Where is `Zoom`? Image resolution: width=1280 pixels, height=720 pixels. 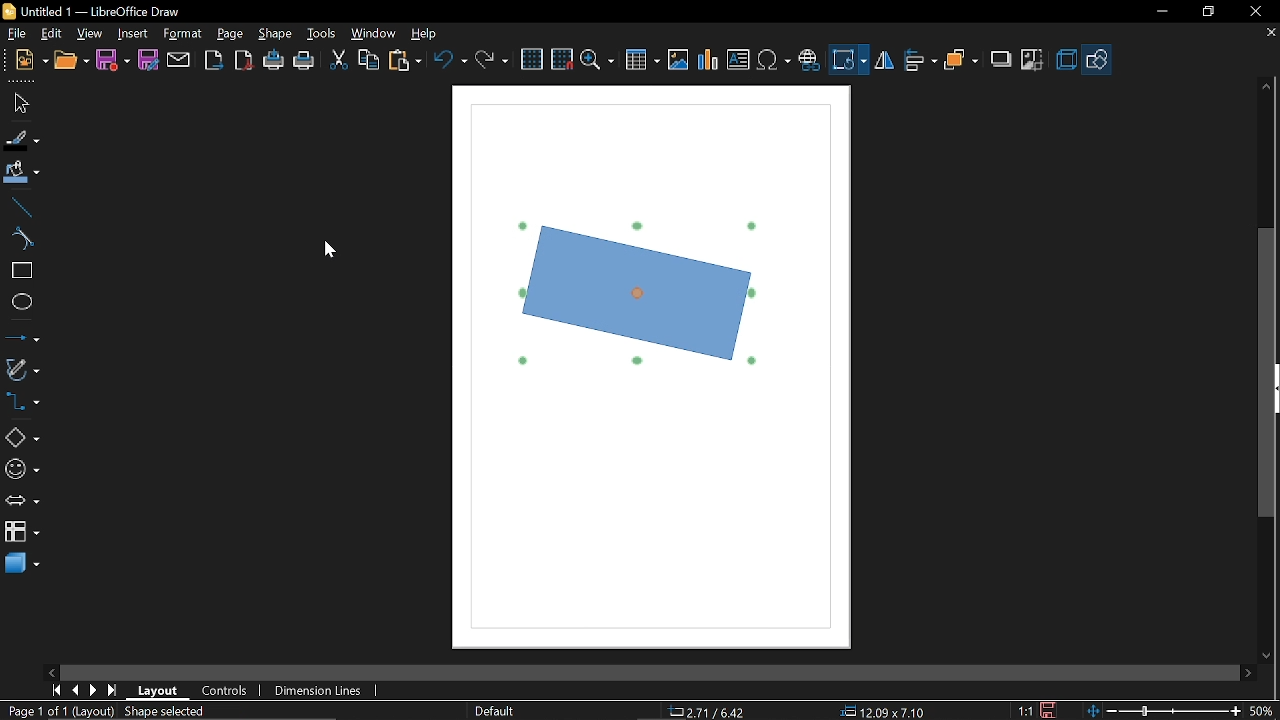 Zoom is located at coordinates (597, 61).